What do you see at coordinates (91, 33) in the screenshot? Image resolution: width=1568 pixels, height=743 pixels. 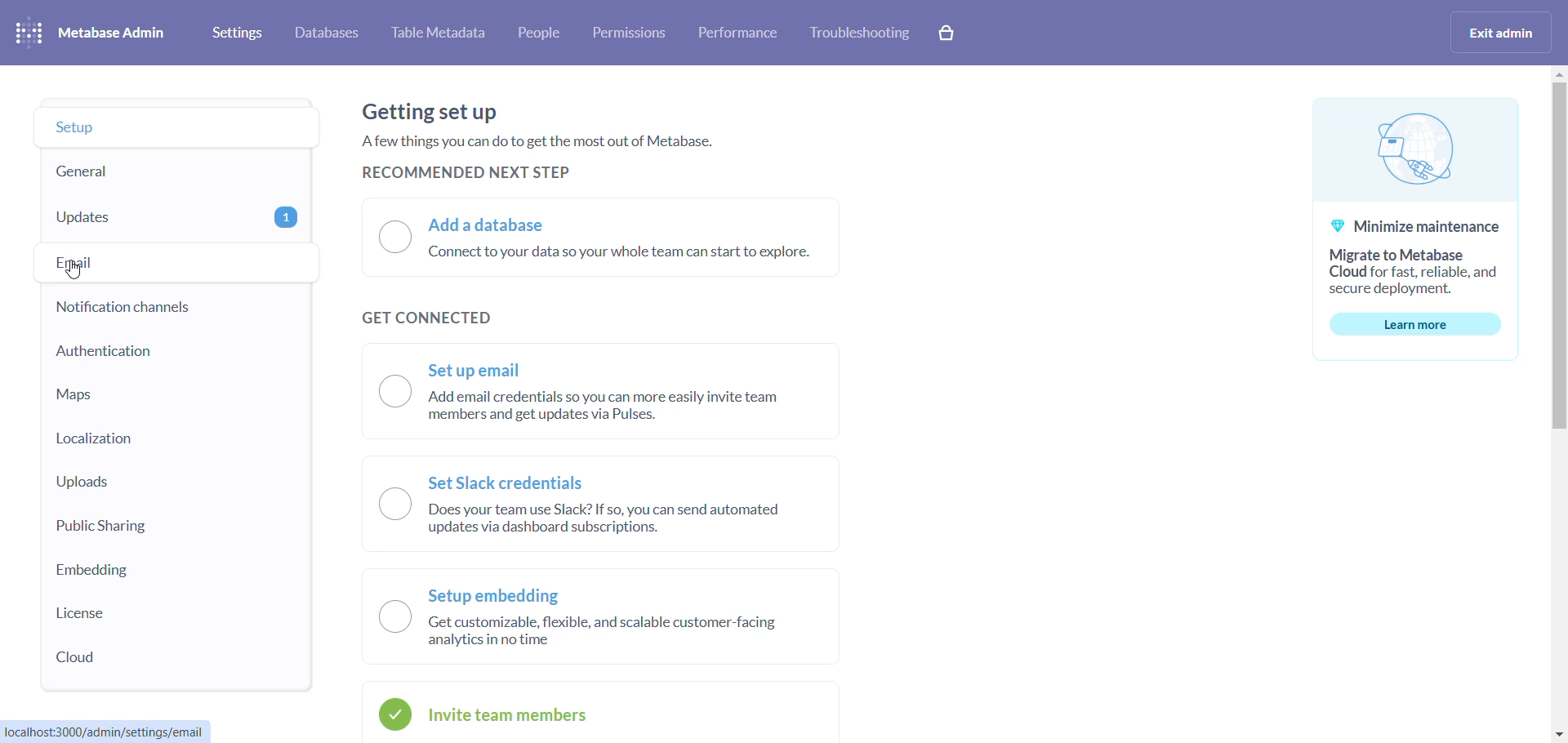 I see `metabase admin heading and logo` at bounding box center [91, 33].